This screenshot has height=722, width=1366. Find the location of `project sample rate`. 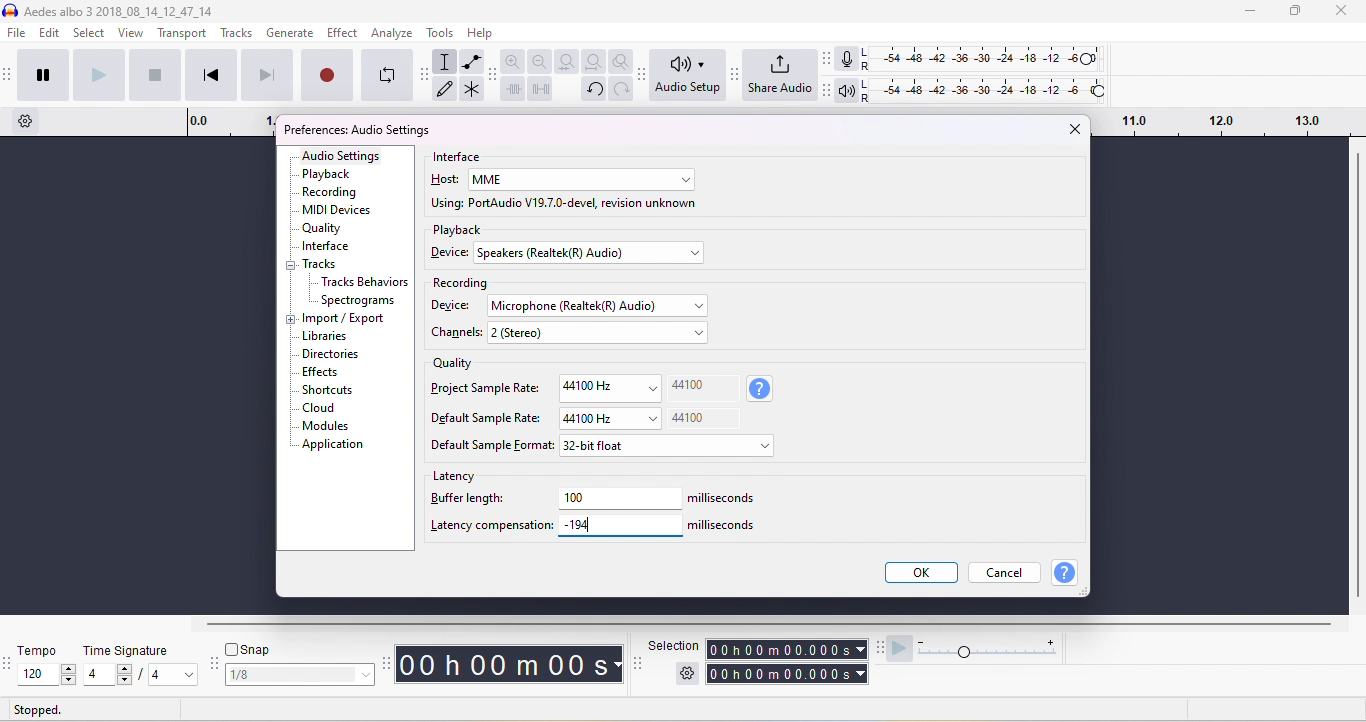

project sample rate is located at coordinates (487, 387).